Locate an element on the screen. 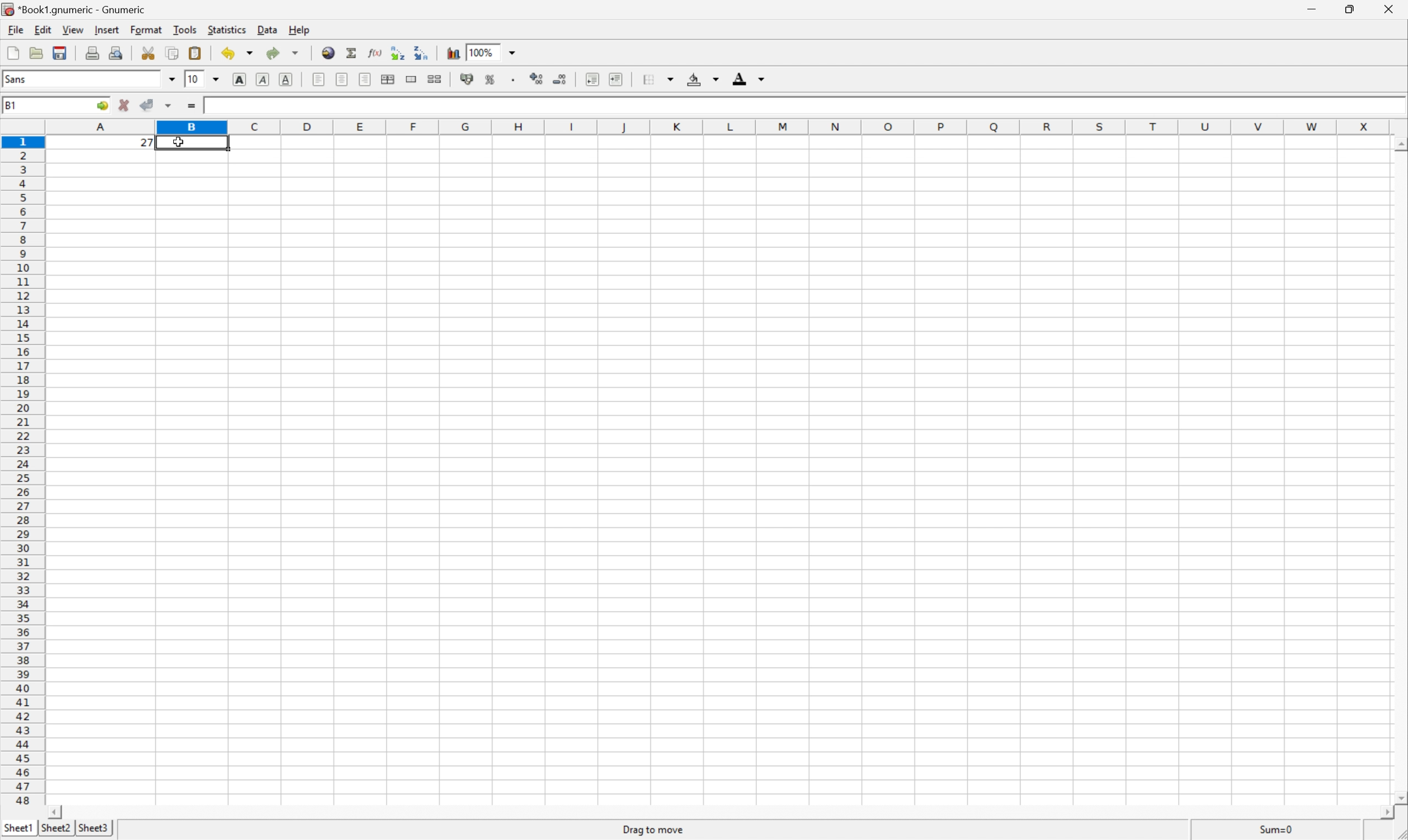 The width and height of the screenshot is (1408, 840). Row Number is located at coordinates (22, 470).